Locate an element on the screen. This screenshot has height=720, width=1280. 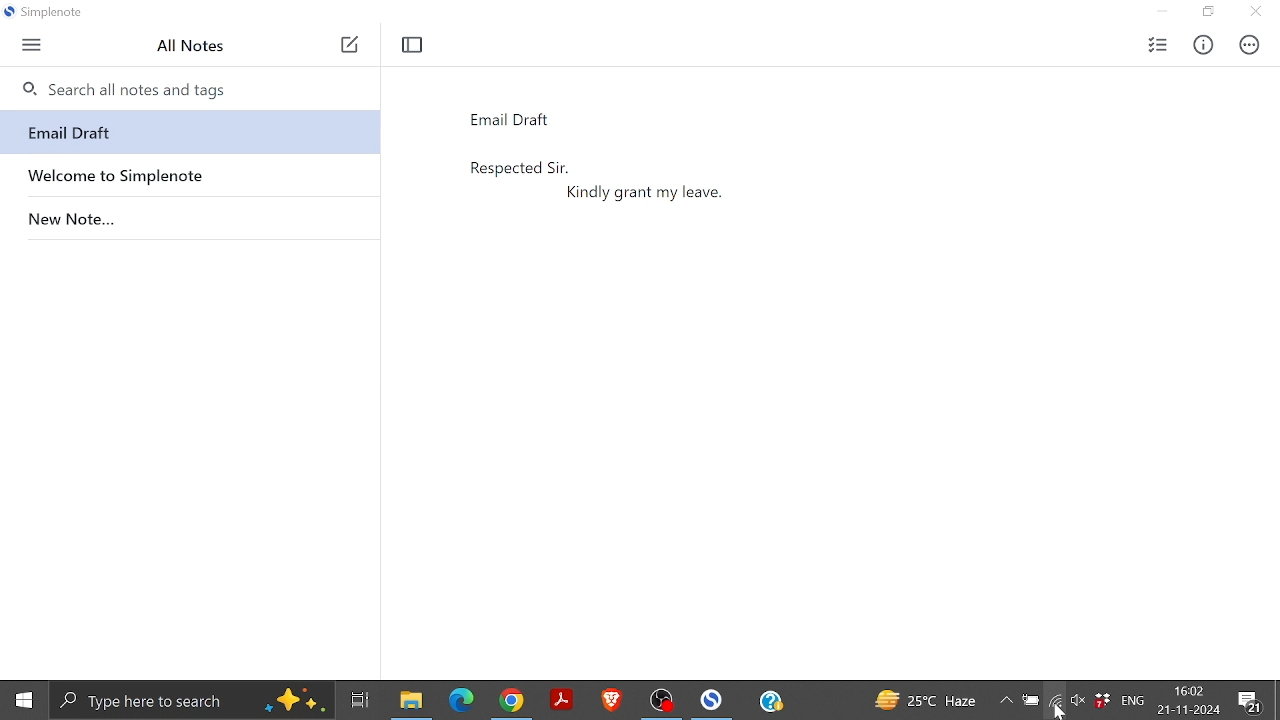
Chrome is located at coordinates (516, 700).